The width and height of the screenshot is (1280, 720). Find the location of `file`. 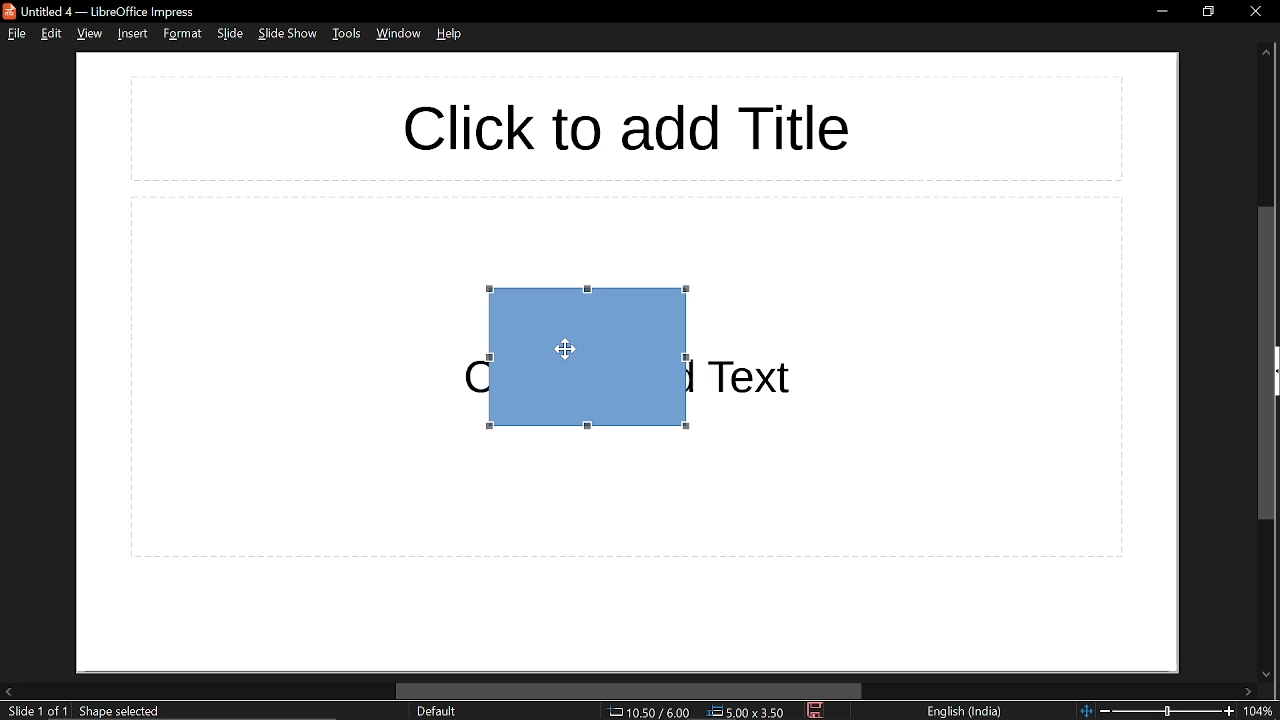

file is located at coordinates (18, 35).